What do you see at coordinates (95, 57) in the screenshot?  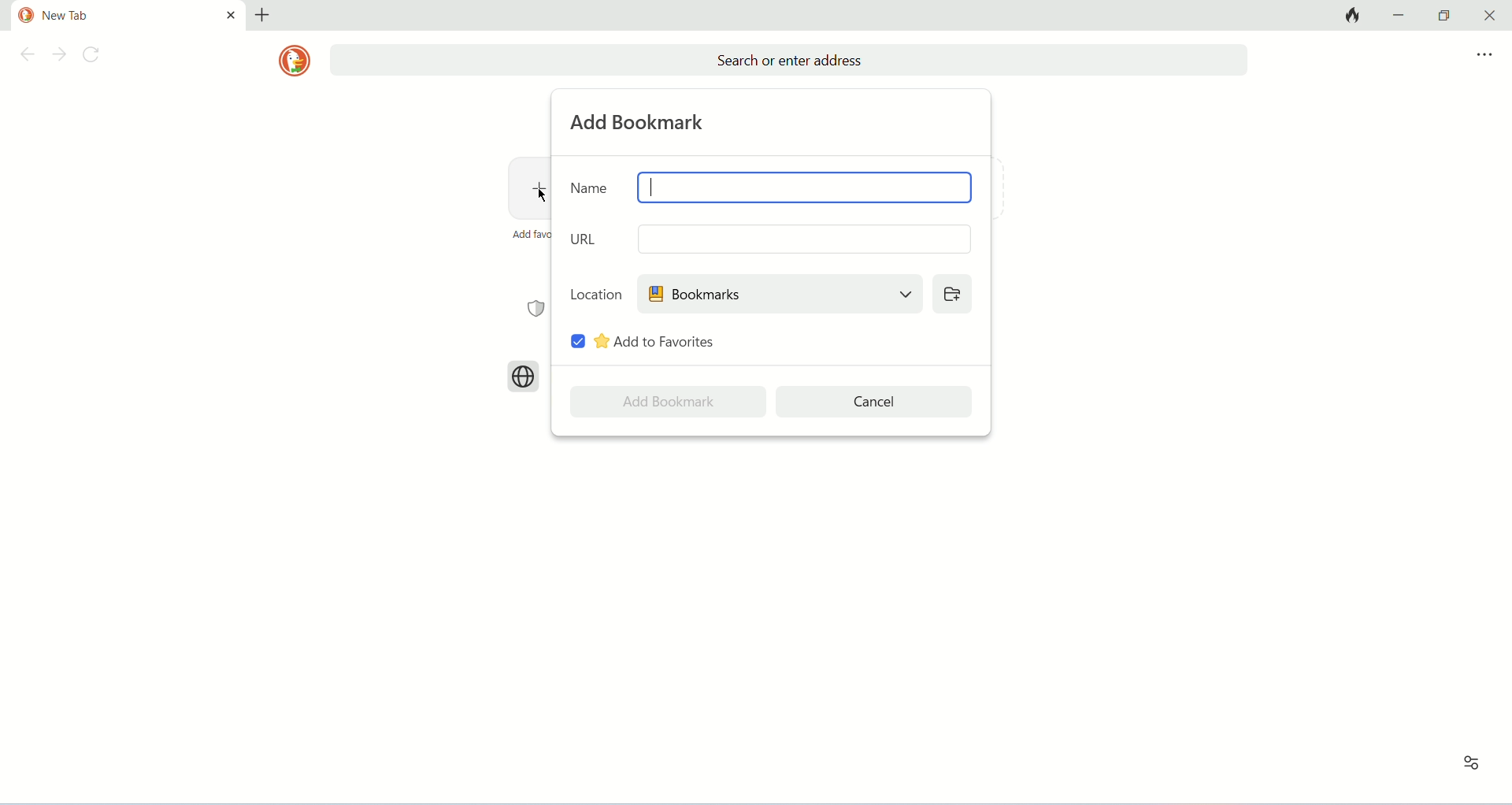 I see `refresh` at bounding box center [95, 57].